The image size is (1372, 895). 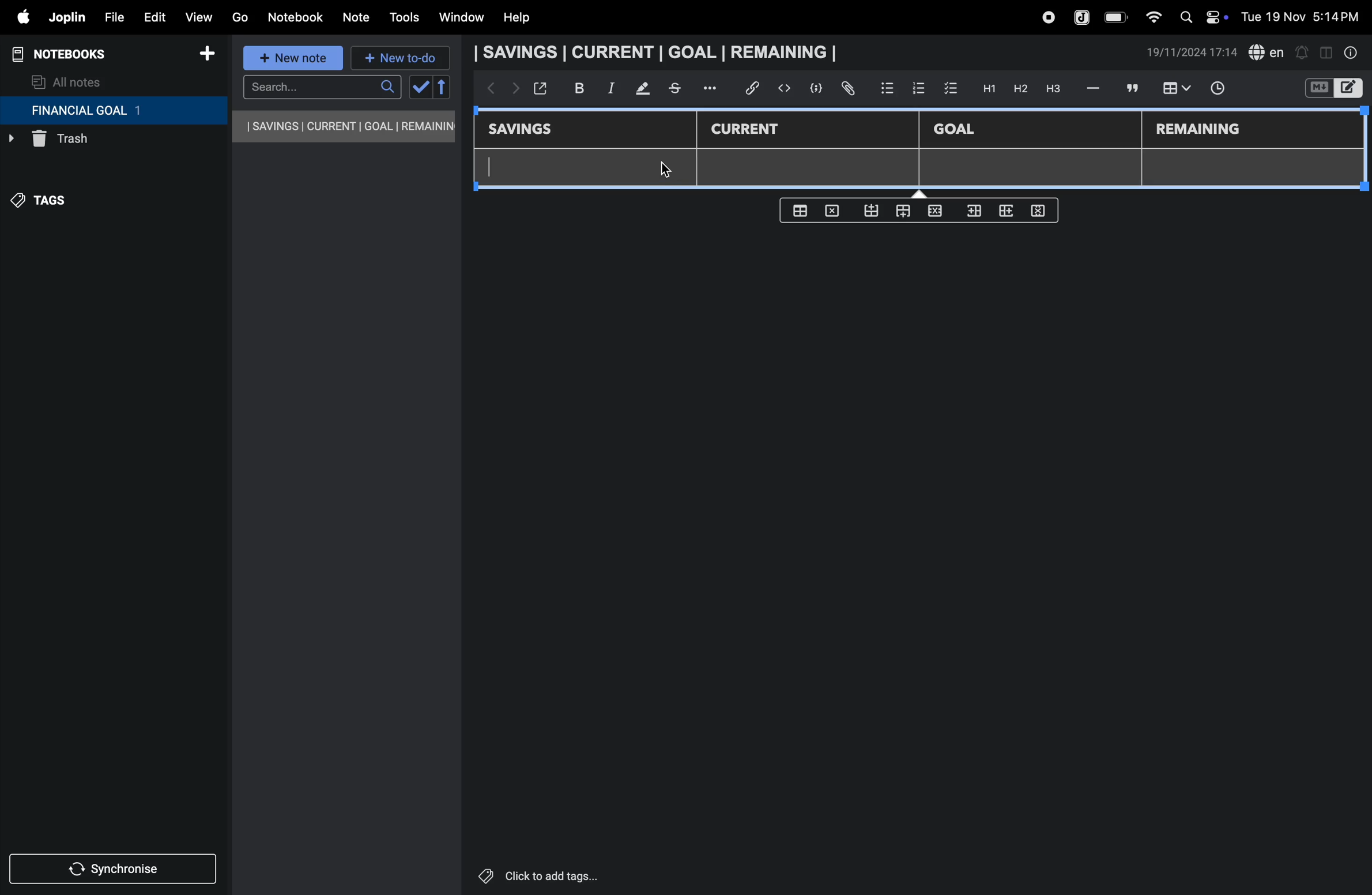 What do you see at coordinates (712, 88) in the screenshot?
I see `options` at bounding box center [712, 88].